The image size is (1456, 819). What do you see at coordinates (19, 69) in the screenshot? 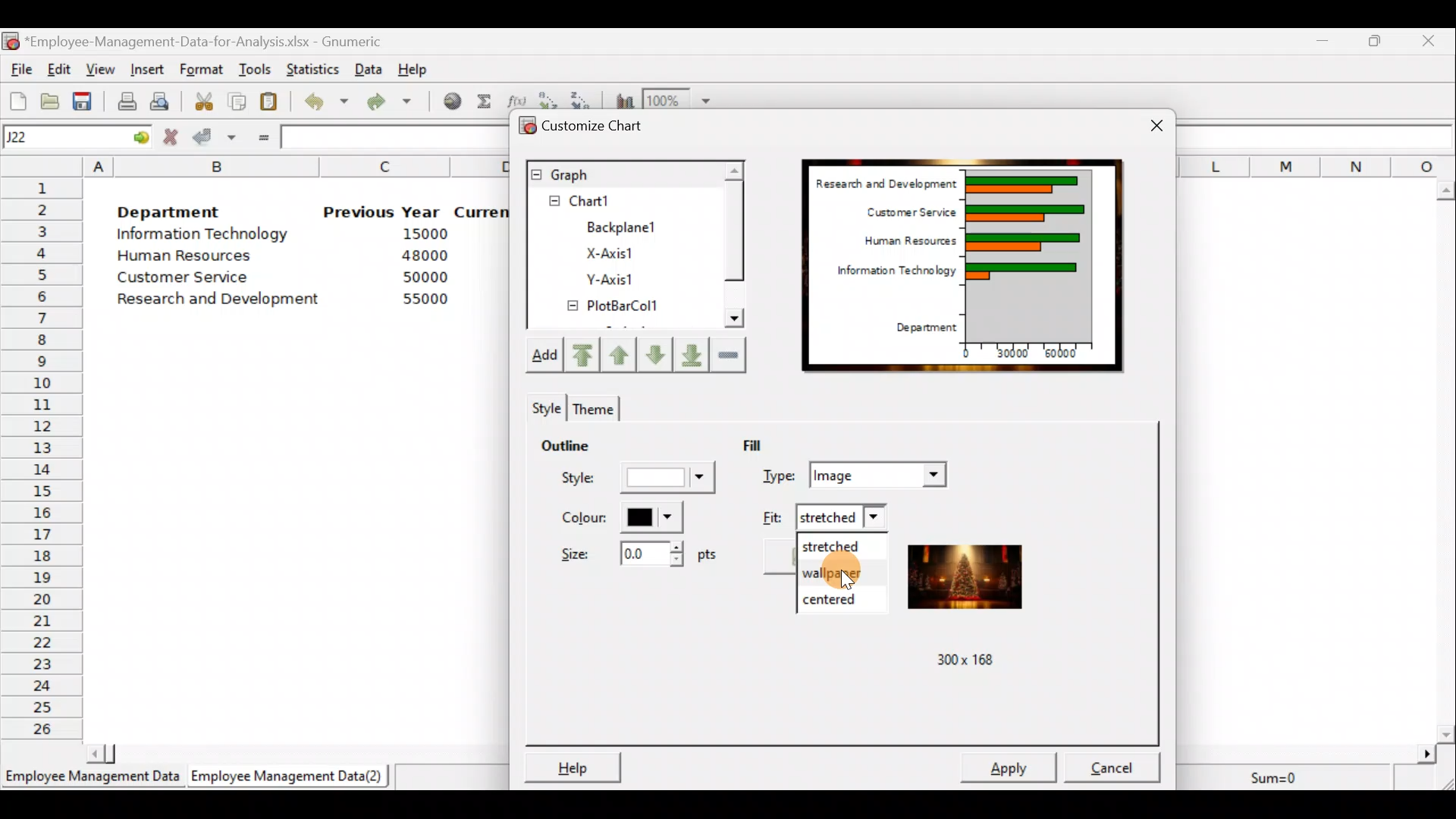
I see `File` at bounding box center [19, 69].